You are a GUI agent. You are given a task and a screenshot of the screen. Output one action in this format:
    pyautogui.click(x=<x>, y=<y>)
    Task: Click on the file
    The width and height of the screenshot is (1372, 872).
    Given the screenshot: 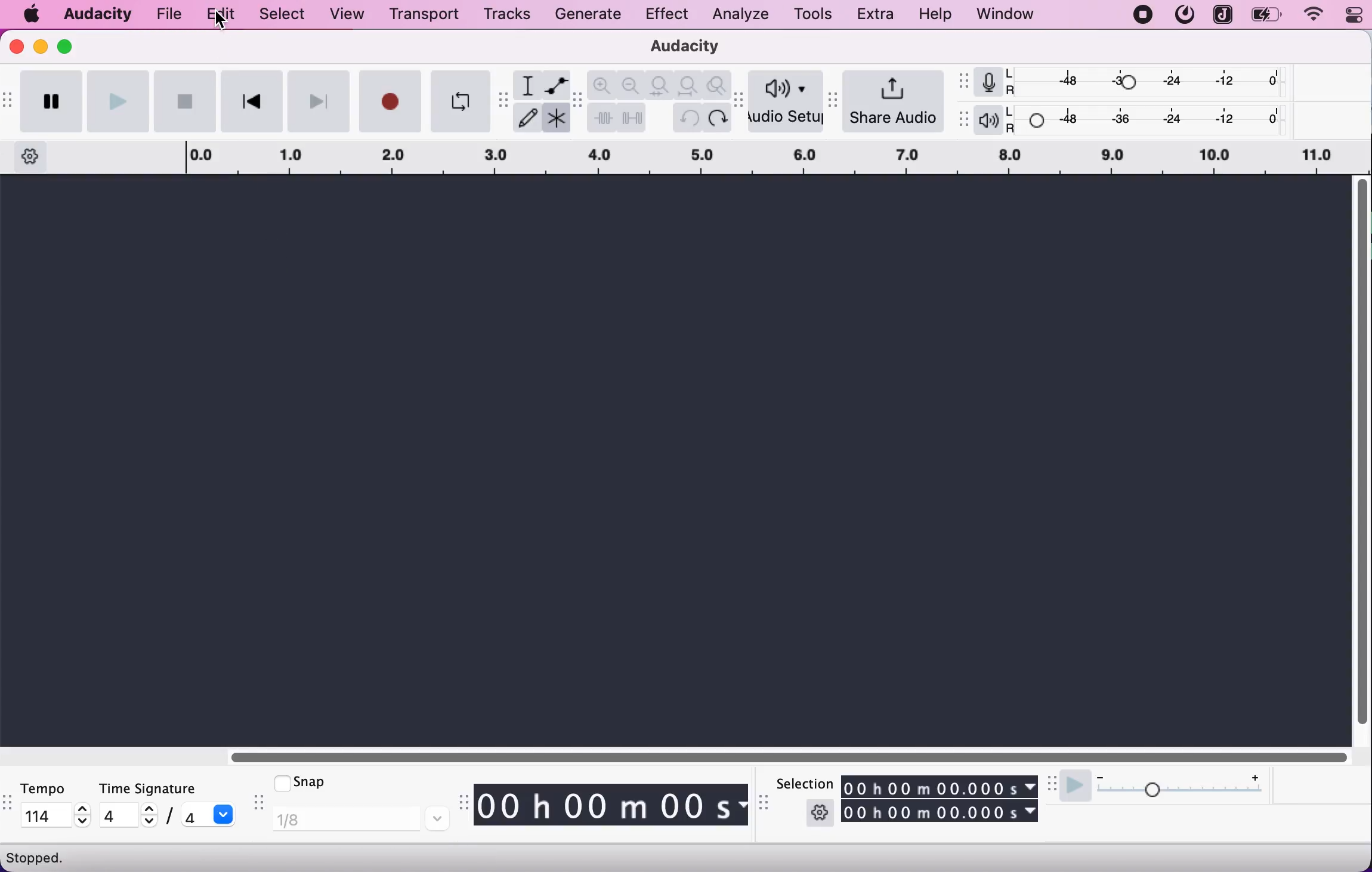 What is the action you would take?
    pyautogui.click(x=171, y=13)
    